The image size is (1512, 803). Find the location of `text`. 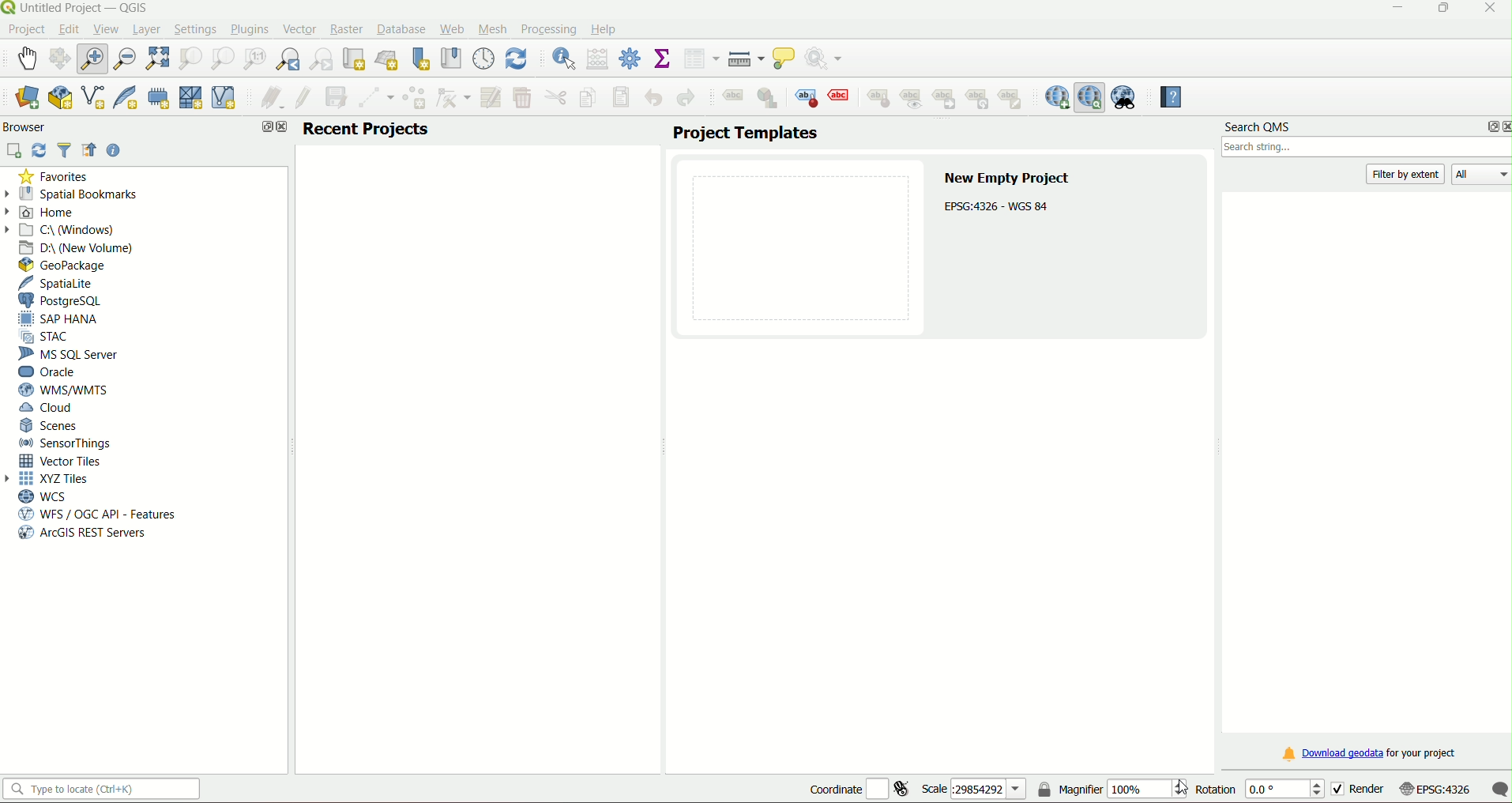

text is located at coordinates (999, 206).